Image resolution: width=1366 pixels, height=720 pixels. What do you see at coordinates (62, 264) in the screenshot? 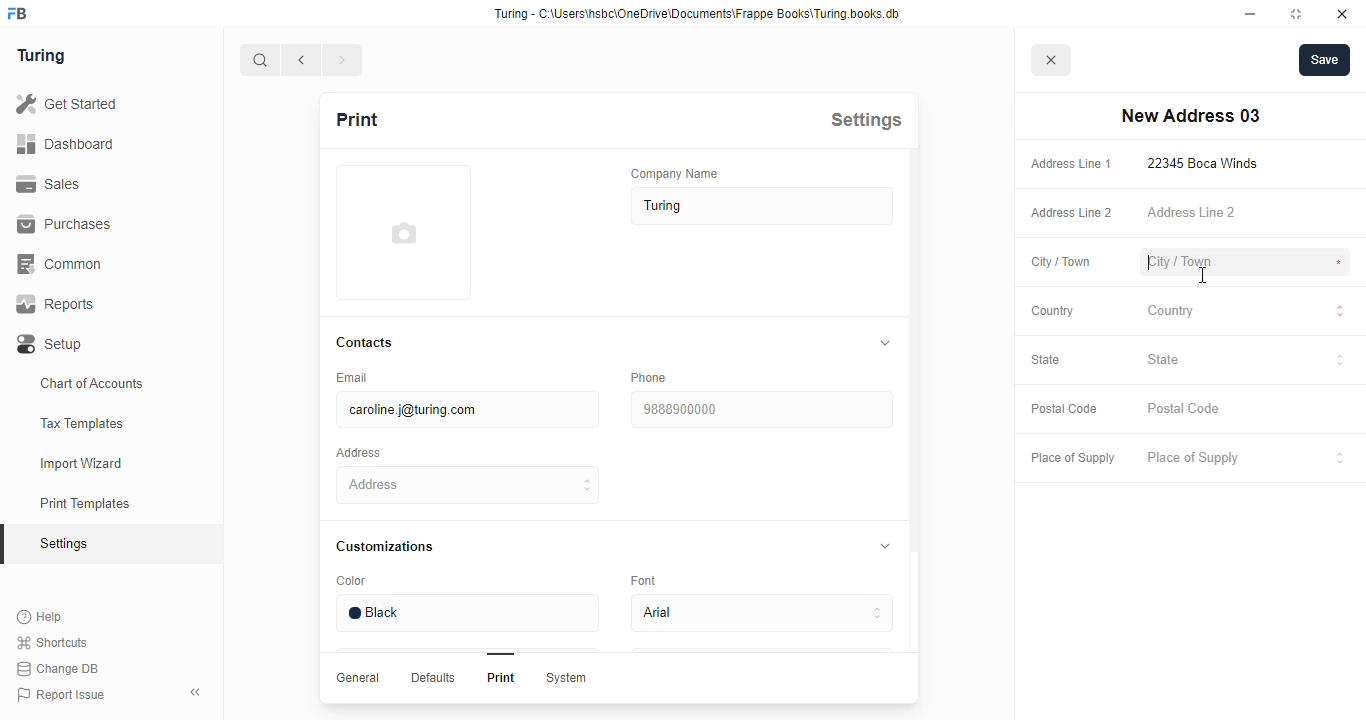
I see `common` at bounding box center [62, 264].